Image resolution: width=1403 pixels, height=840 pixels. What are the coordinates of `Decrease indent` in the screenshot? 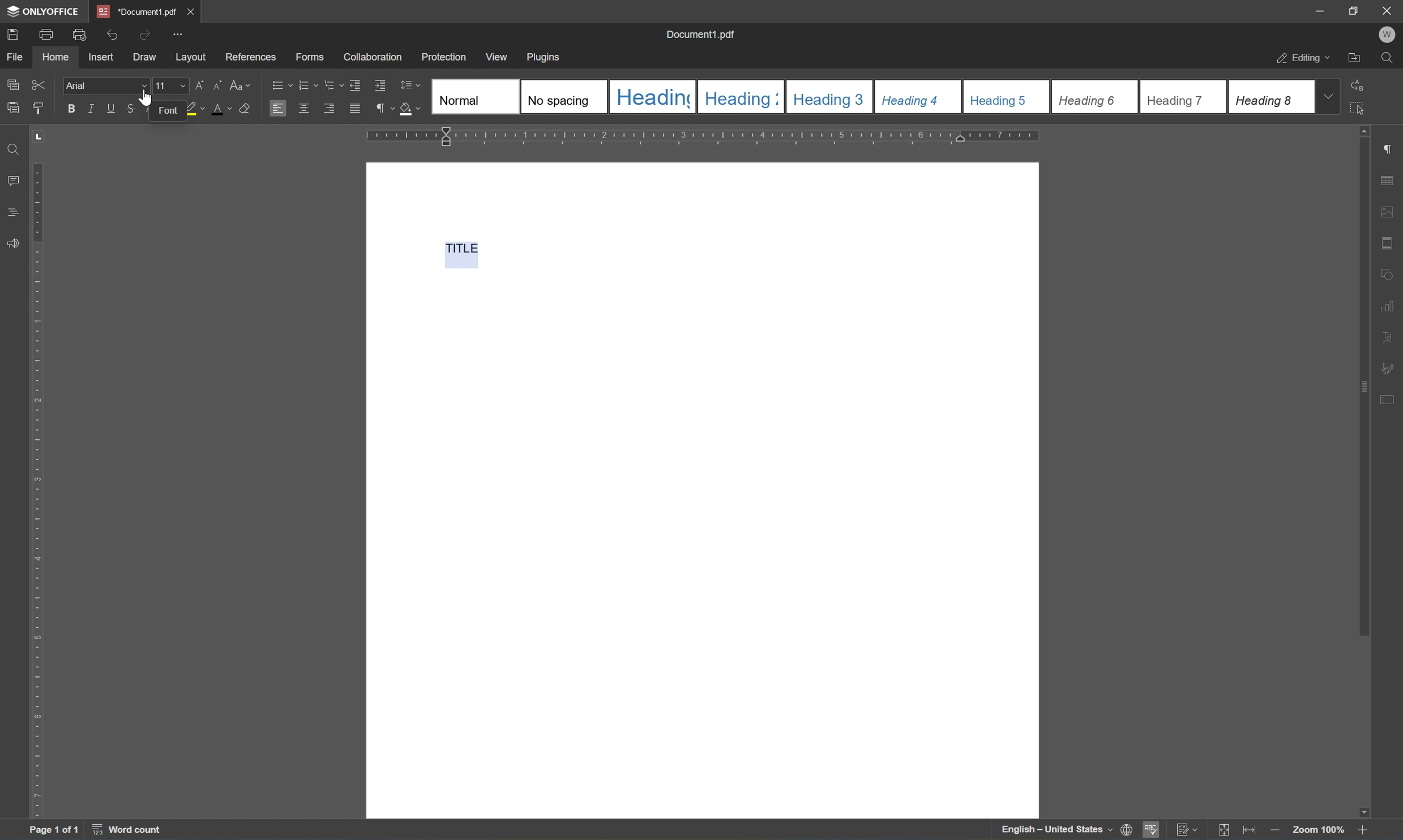 It's located at (355, 84).